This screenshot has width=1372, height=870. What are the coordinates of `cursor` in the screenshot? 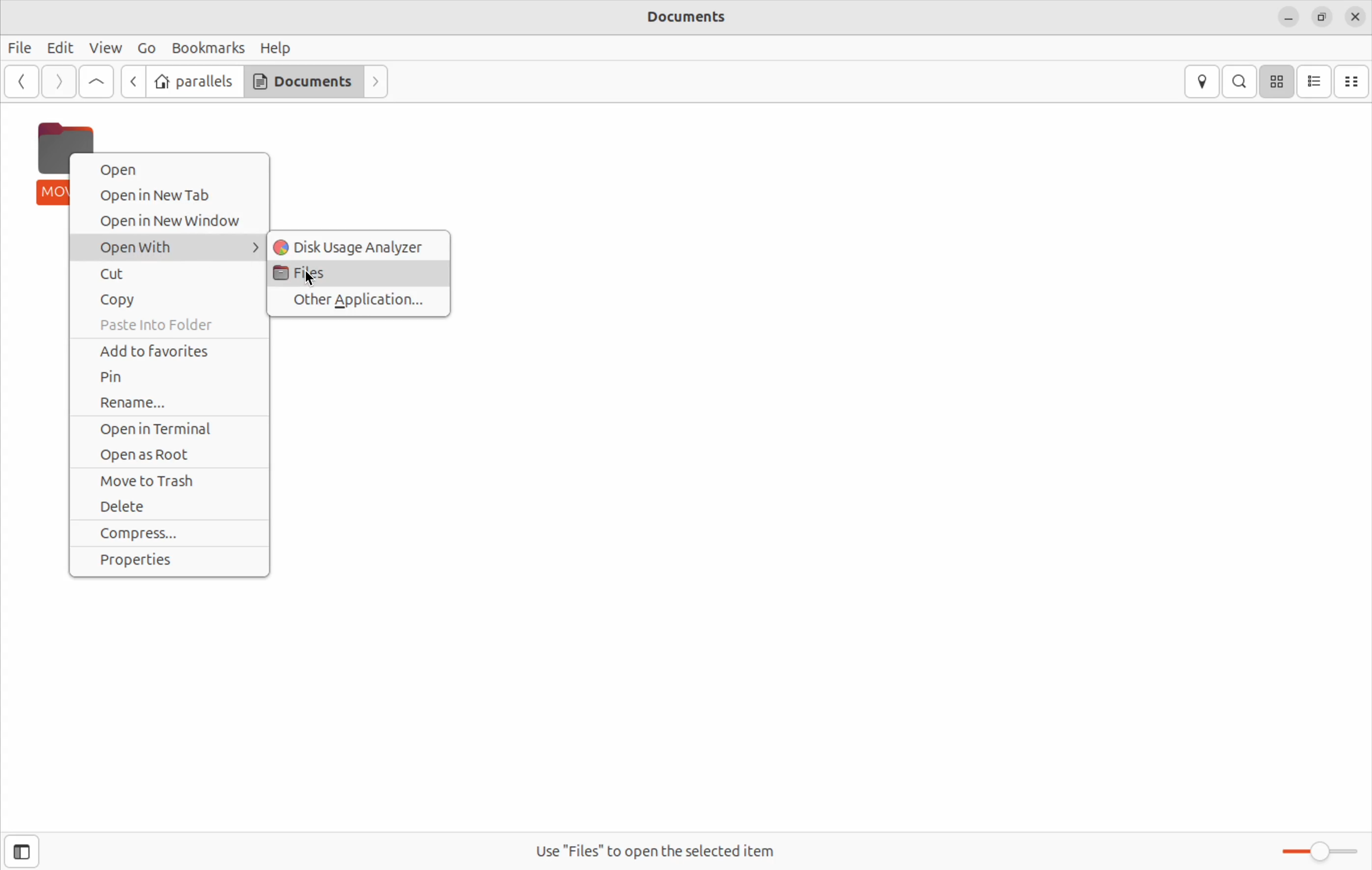 It's located at (314, 279).